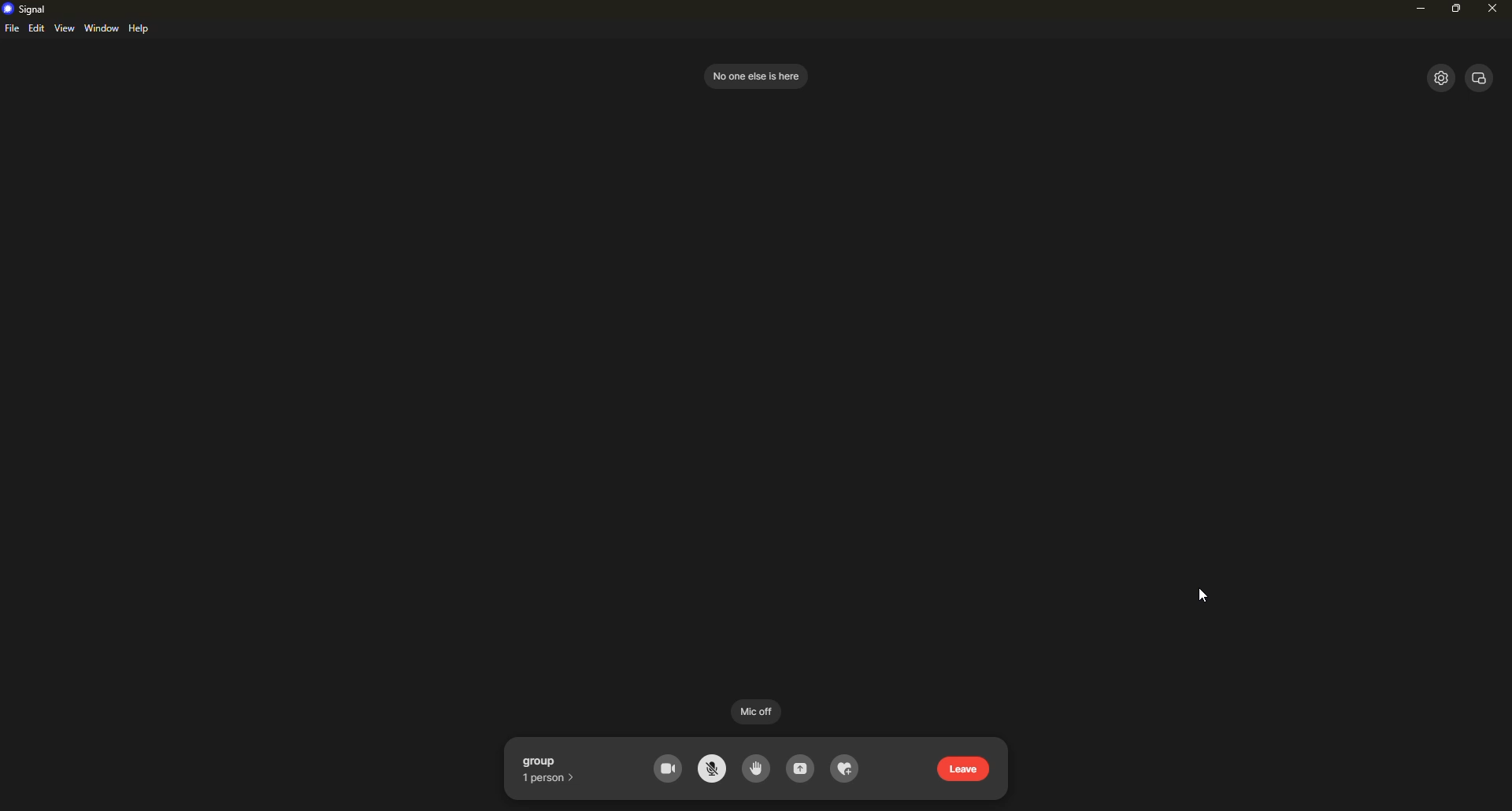  What do you see at coordinates (36, 29) in the screenshot?
I see `edit` at bounding box center [36, 29].